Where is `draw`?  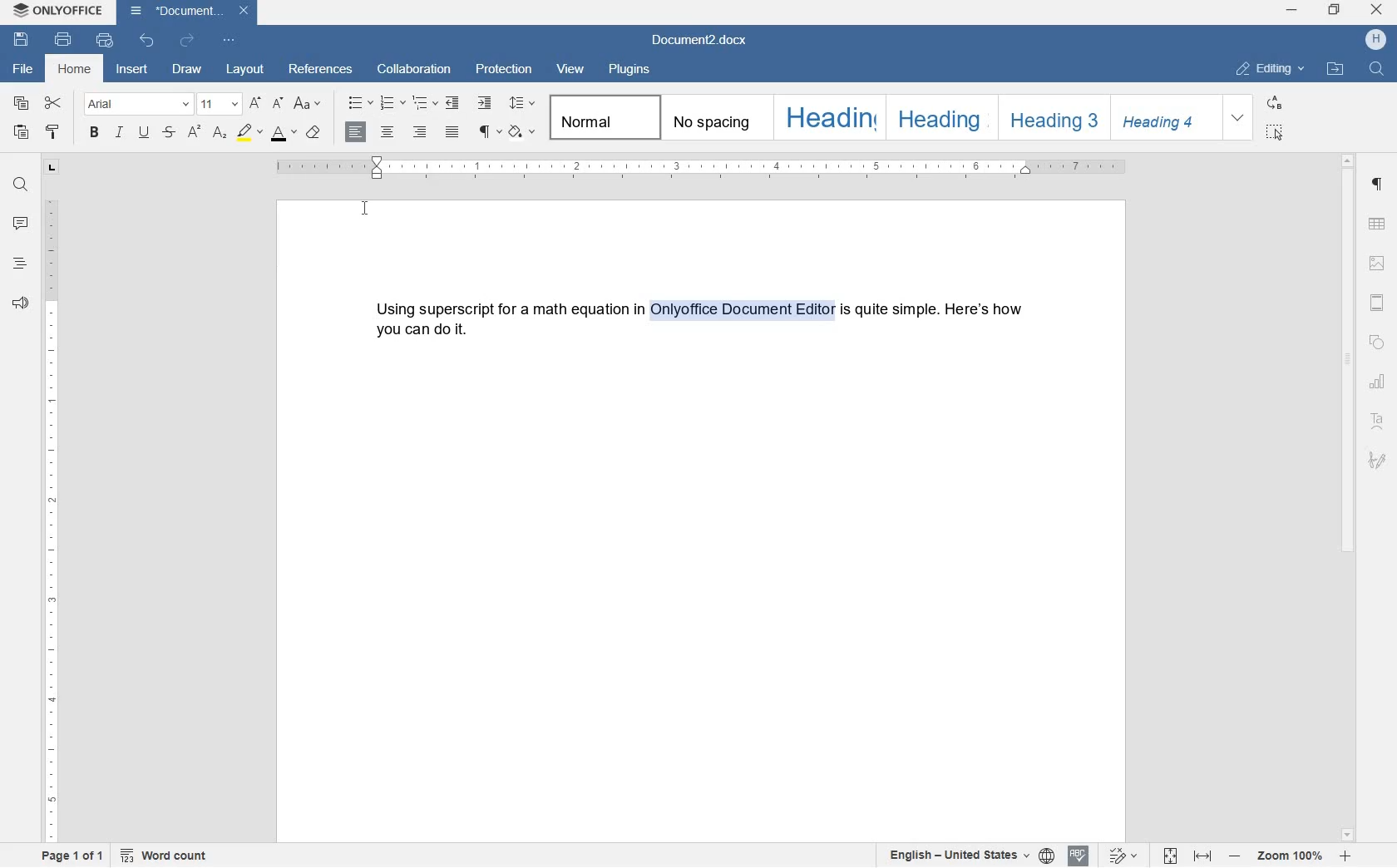
draw is located at coordinates (192, 69).